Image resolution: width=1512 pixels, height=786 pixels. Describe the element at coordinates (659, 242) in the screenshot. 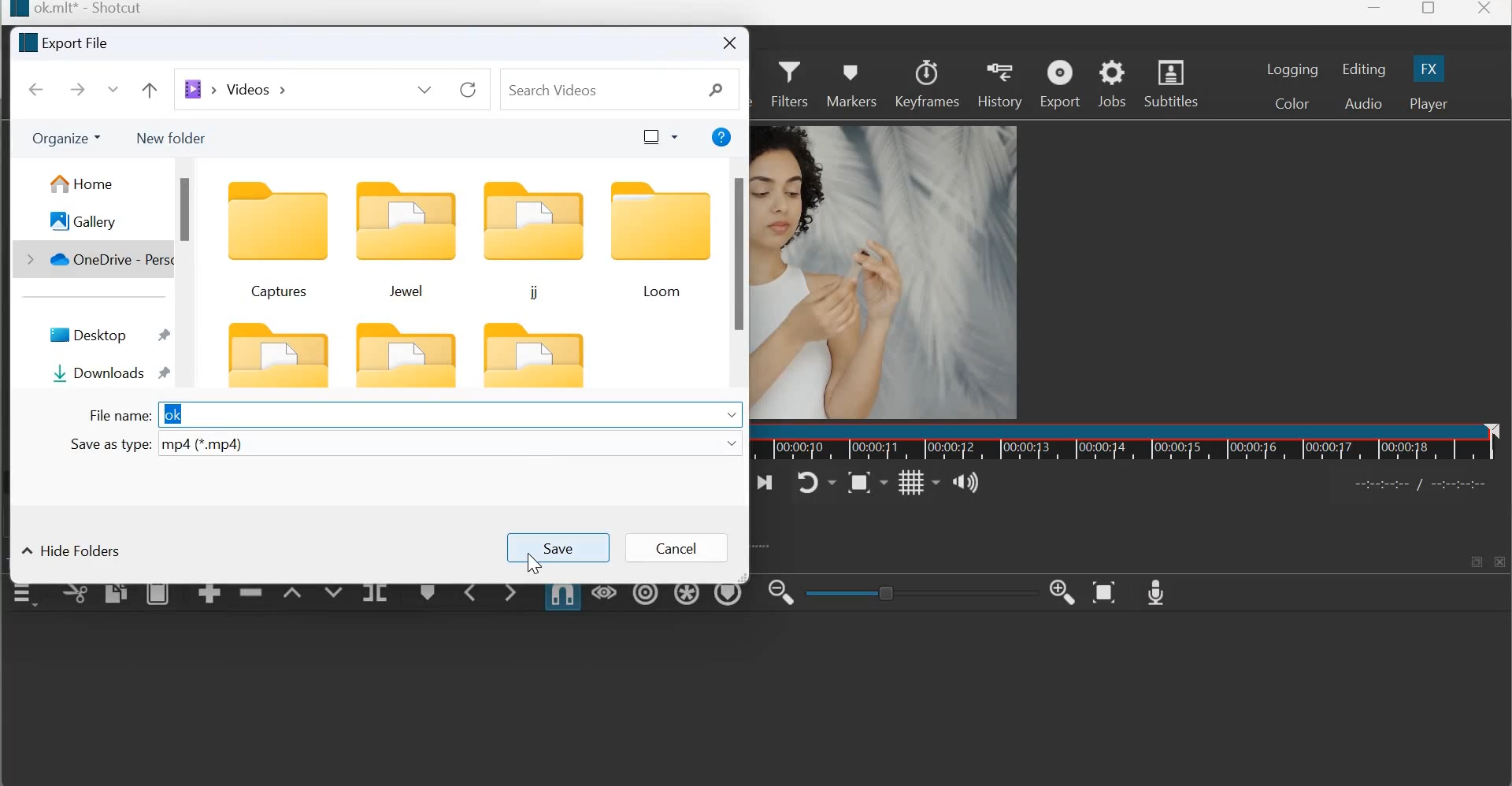

I see `Loom` at that location.